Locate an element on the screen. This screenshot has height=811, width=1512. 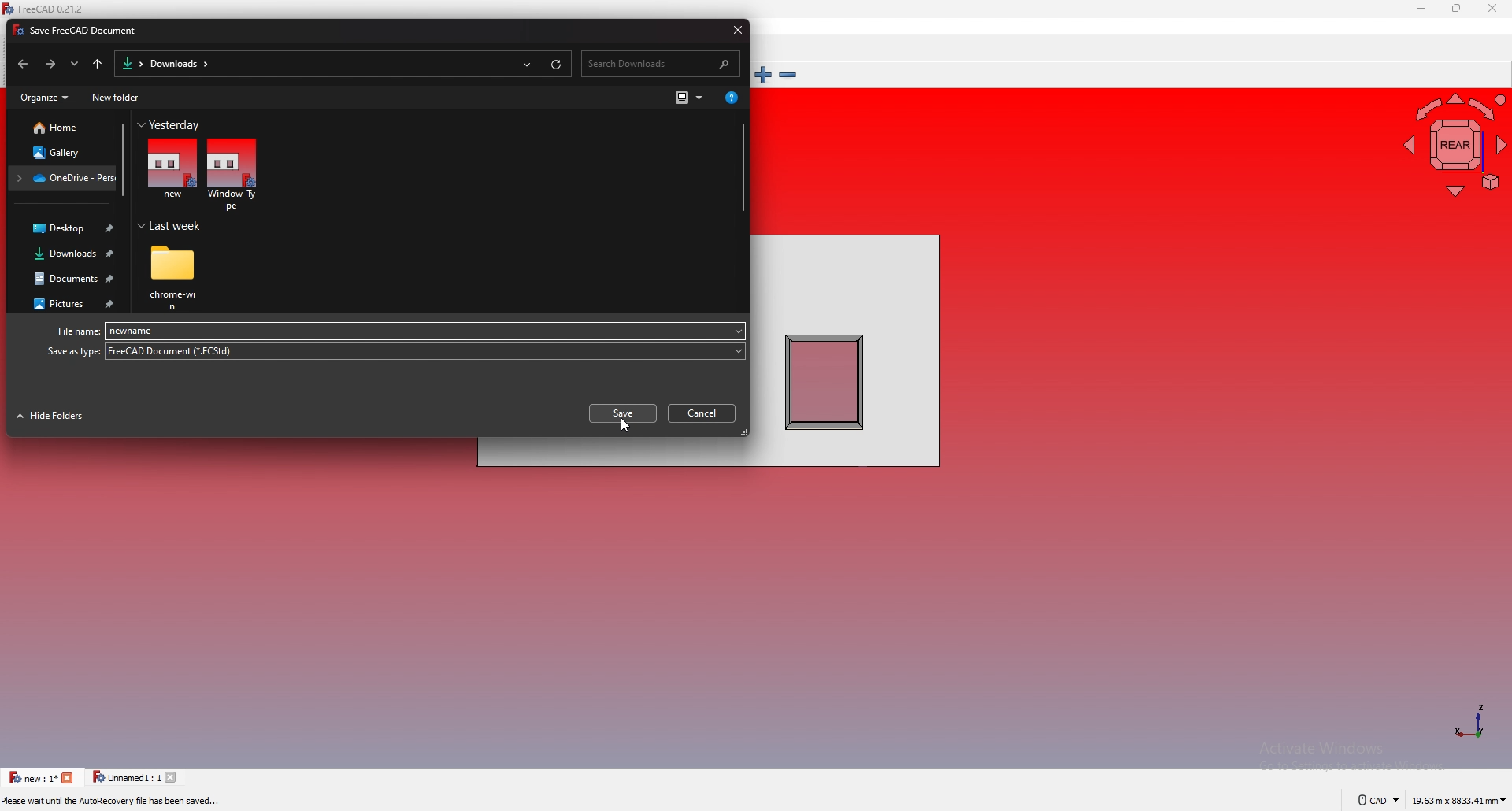
search bar is located at coordinates (661, 62).